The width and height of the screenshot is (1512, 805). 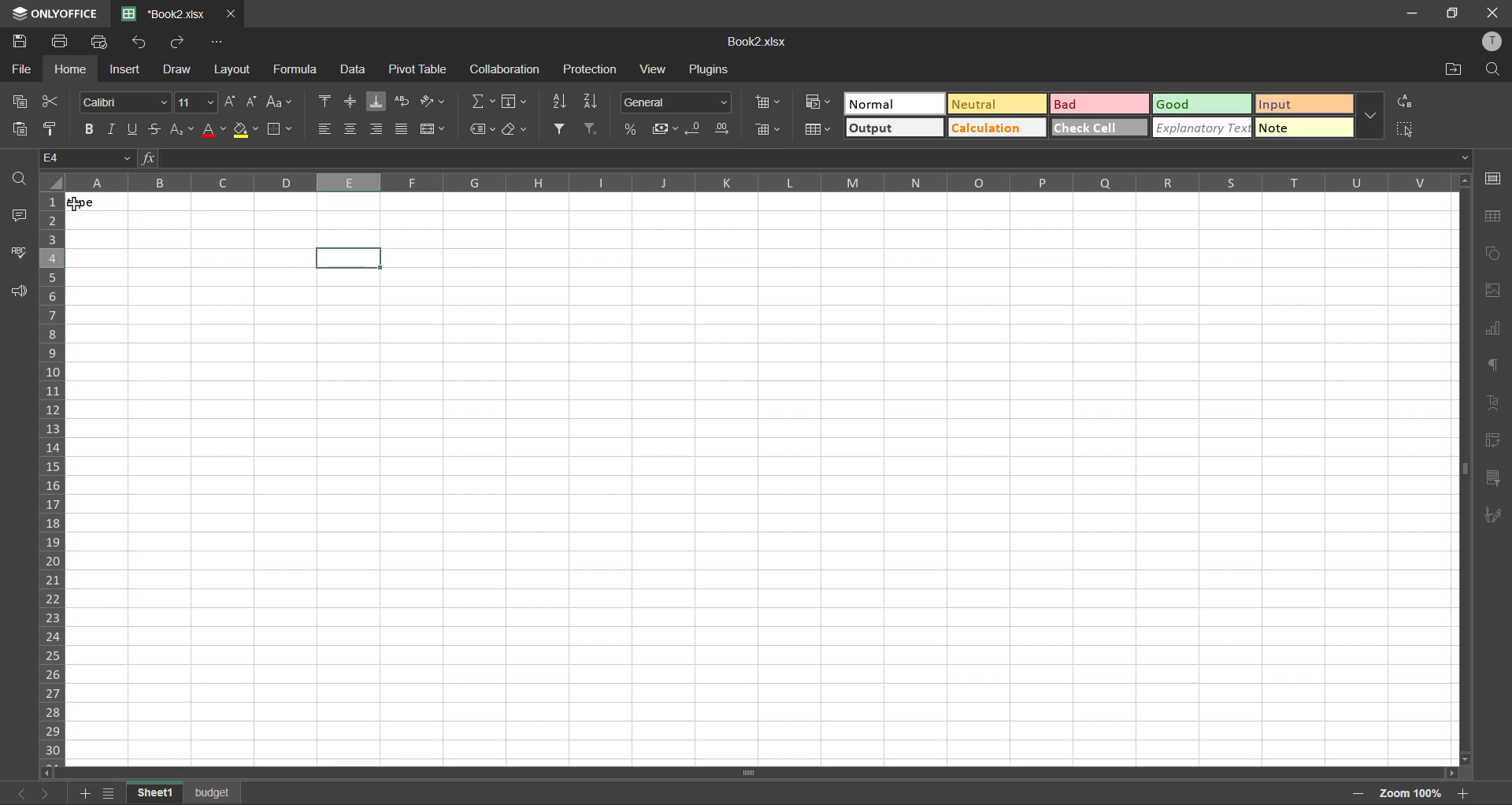 What do you see at coordinates (294, 69) in the screenshot?
I see `formula` at bounding box center [294, 69].